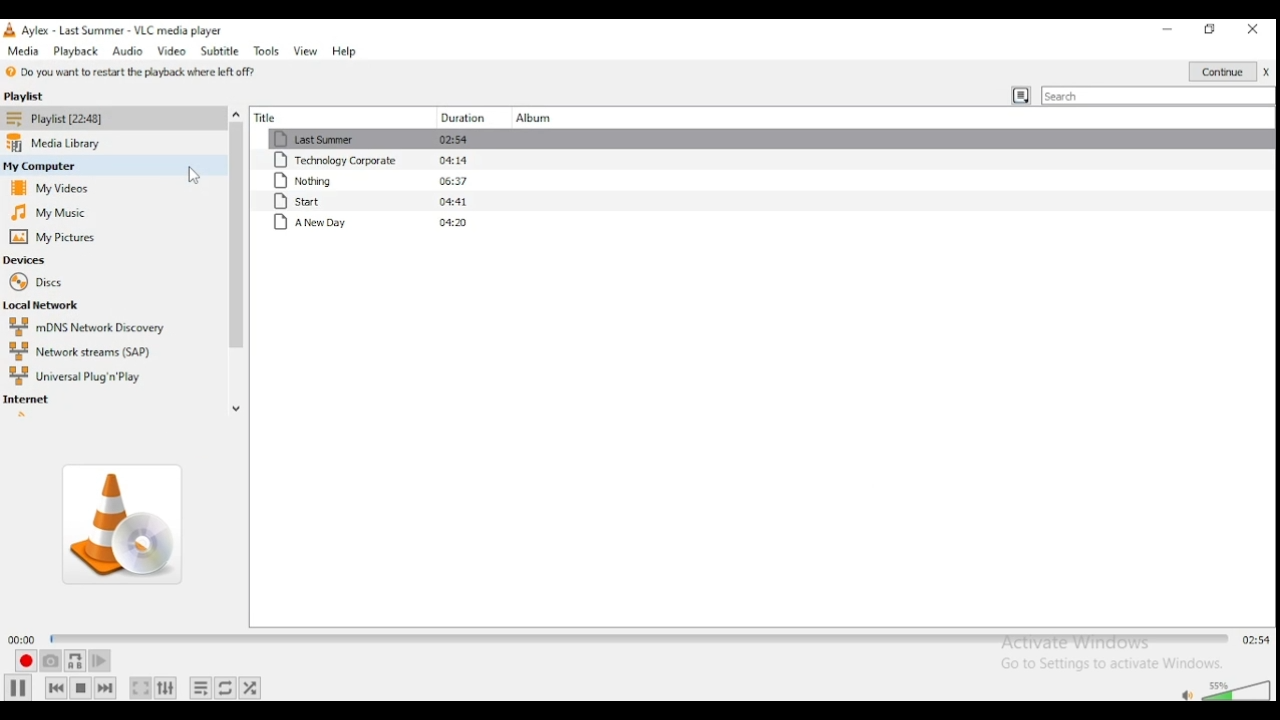  Describe the element at coordinates (58, 118) in the screenshot. I see `playlist` at that location.